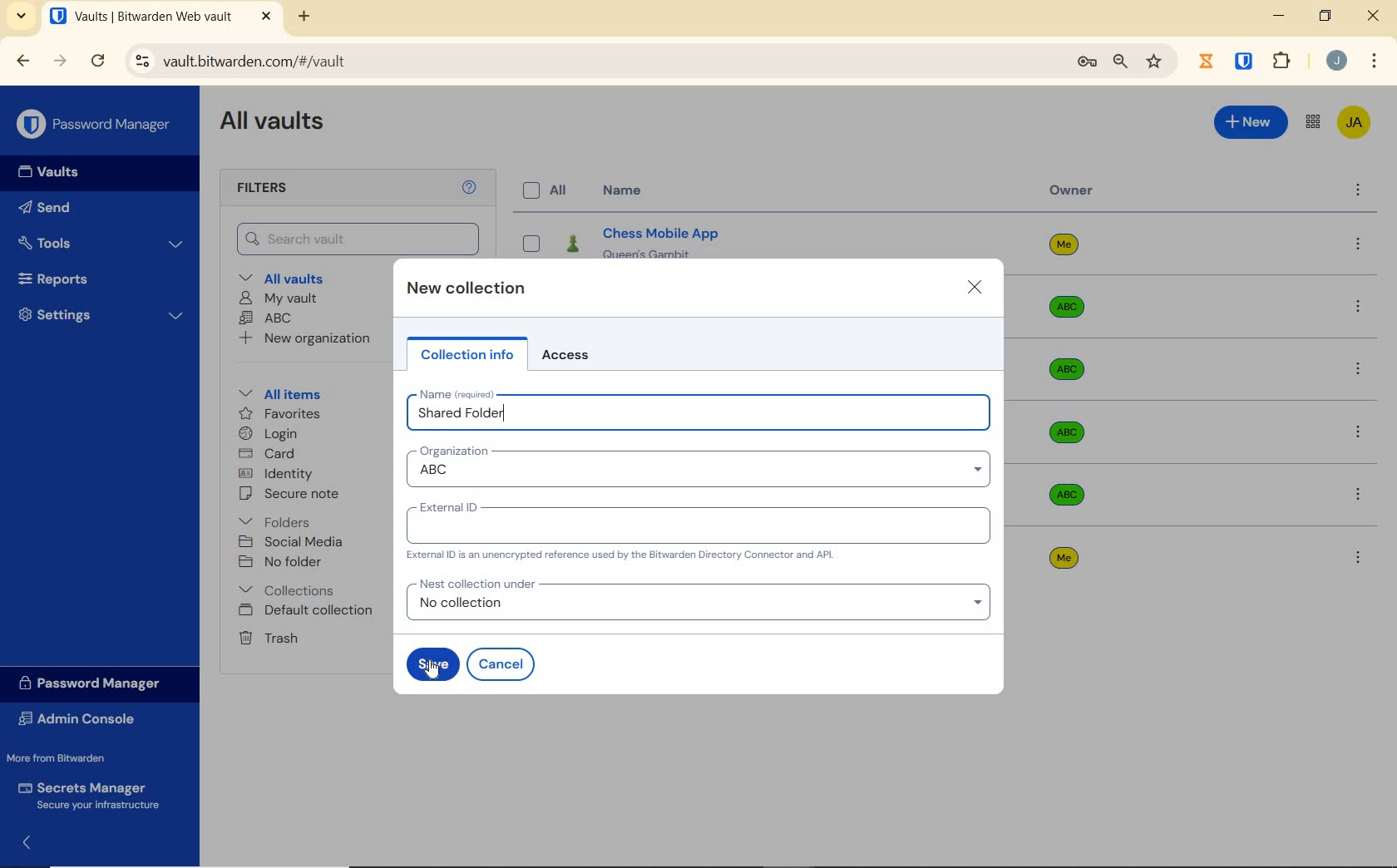  Describe the element at coordinates (433, 673) in the screenshot. I see `cursor` at that location.